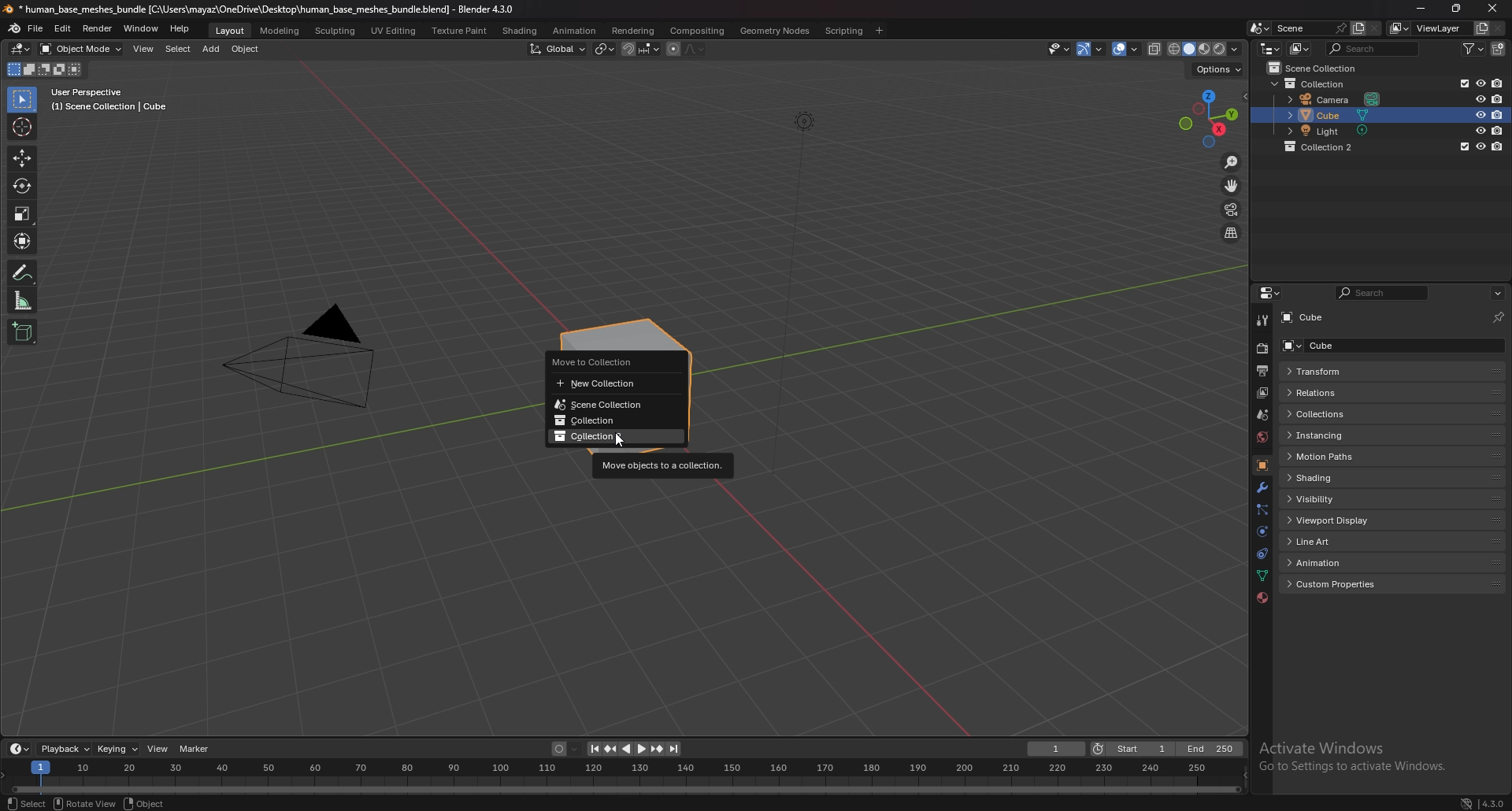 This screenshot has height=811, width=1512. I want to click on switch view from perspective/orthographic, so click(1231, 234).